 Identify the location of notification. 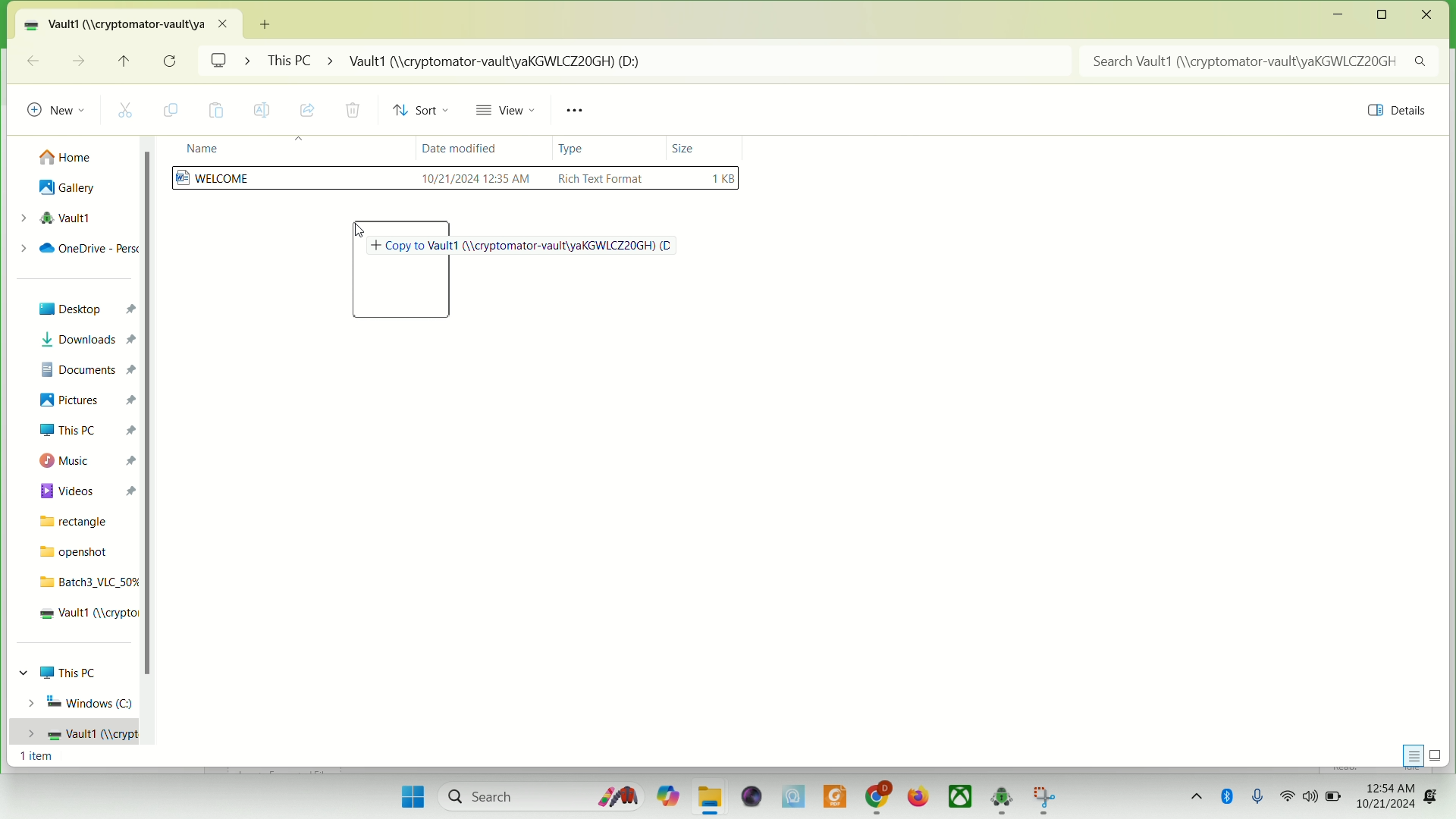
(1436, 793).